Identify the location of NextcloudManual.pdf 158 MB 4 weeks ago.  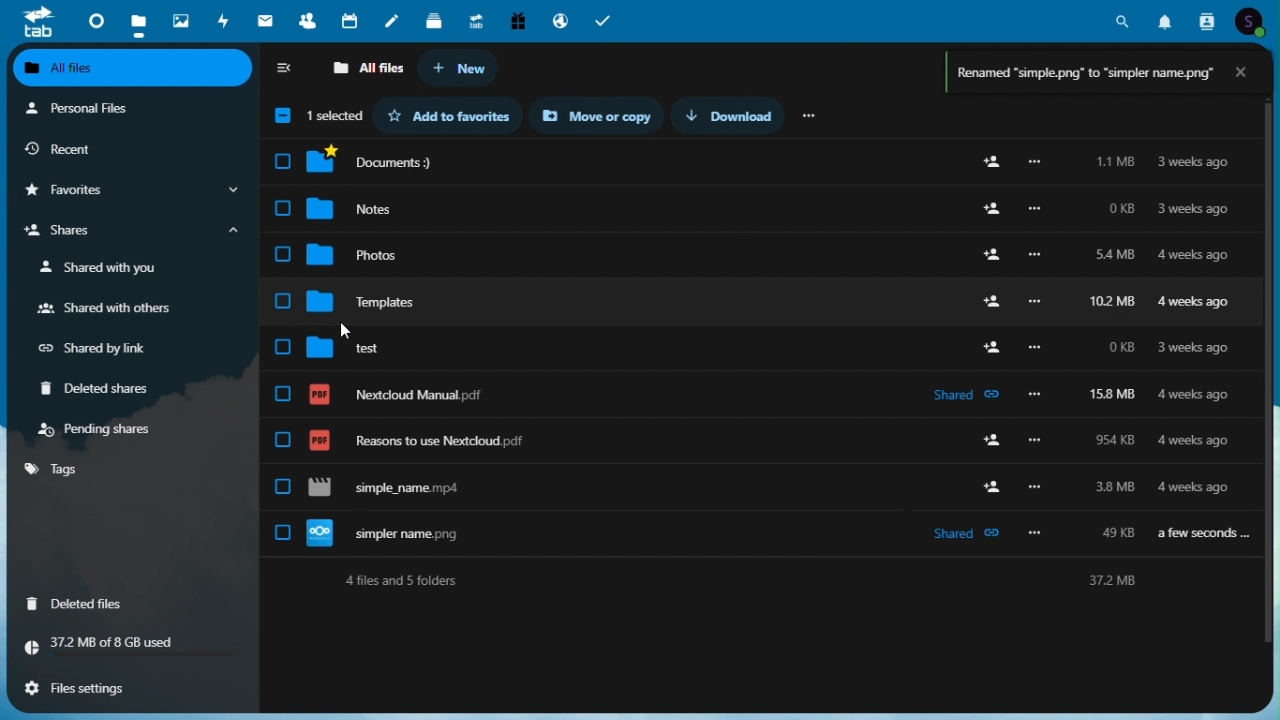
(759, 385).